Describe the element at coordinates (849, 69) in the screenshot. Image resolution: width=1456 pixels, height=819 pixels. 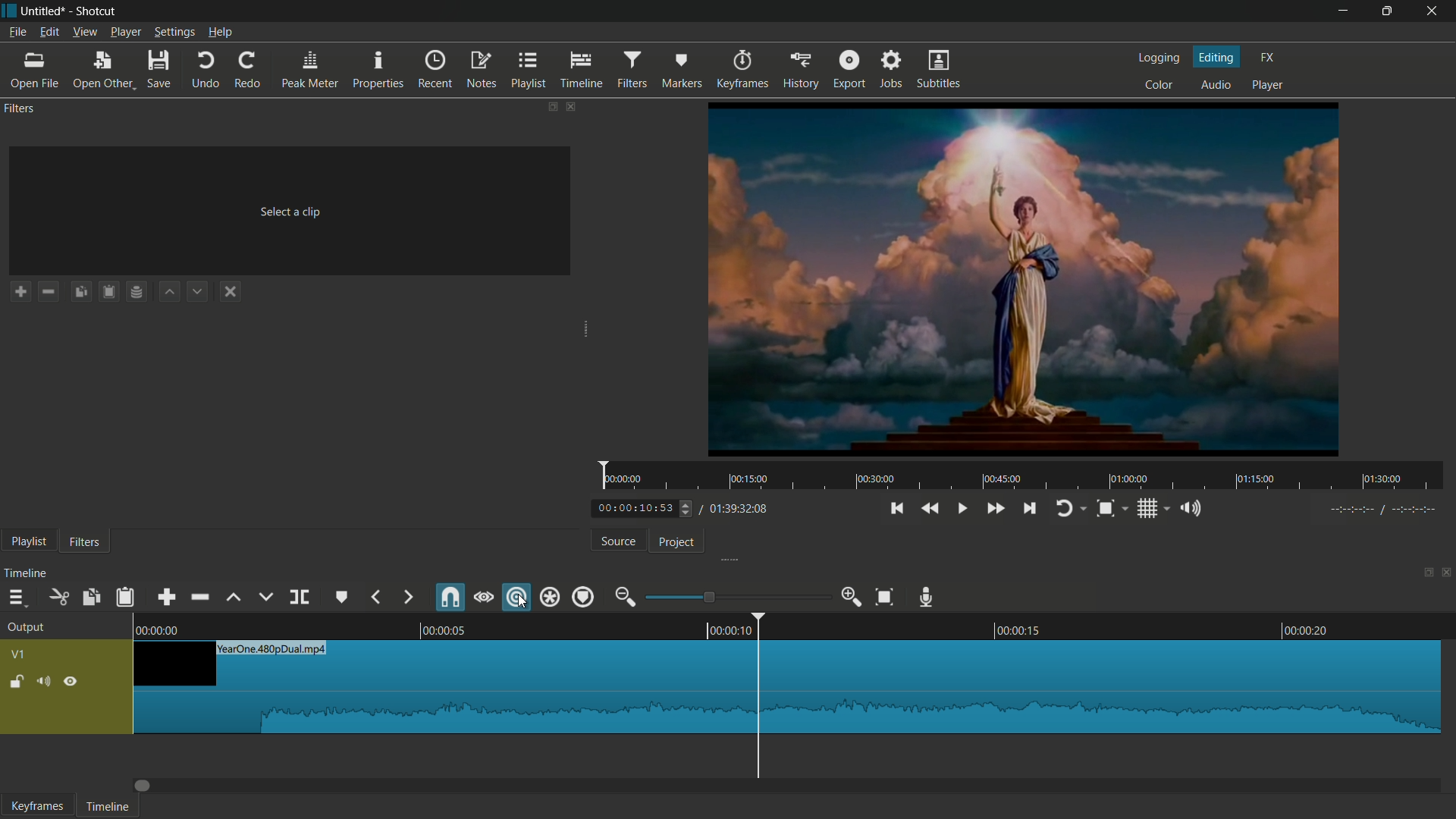
I see `export` at that location.